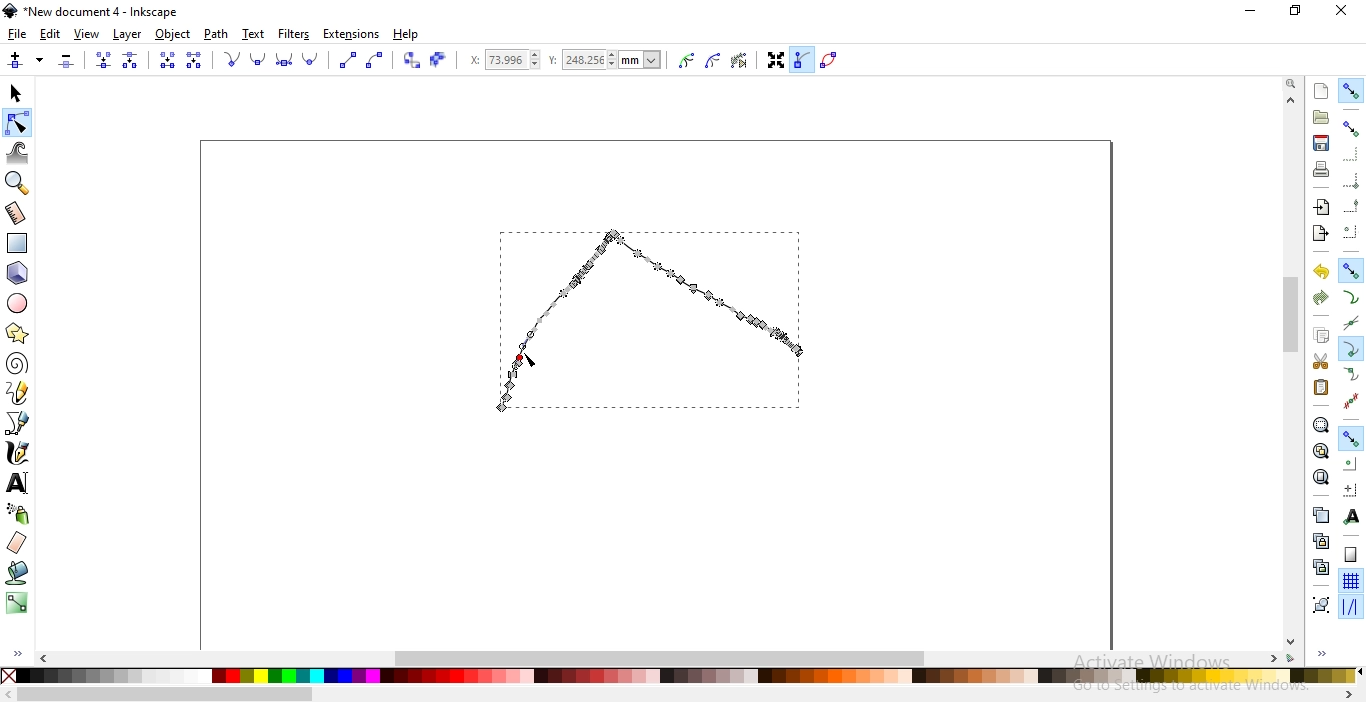 The width and height of the screenshot is (1366, 702). I want to click on duplicate selected objects, so click(1320, 514).